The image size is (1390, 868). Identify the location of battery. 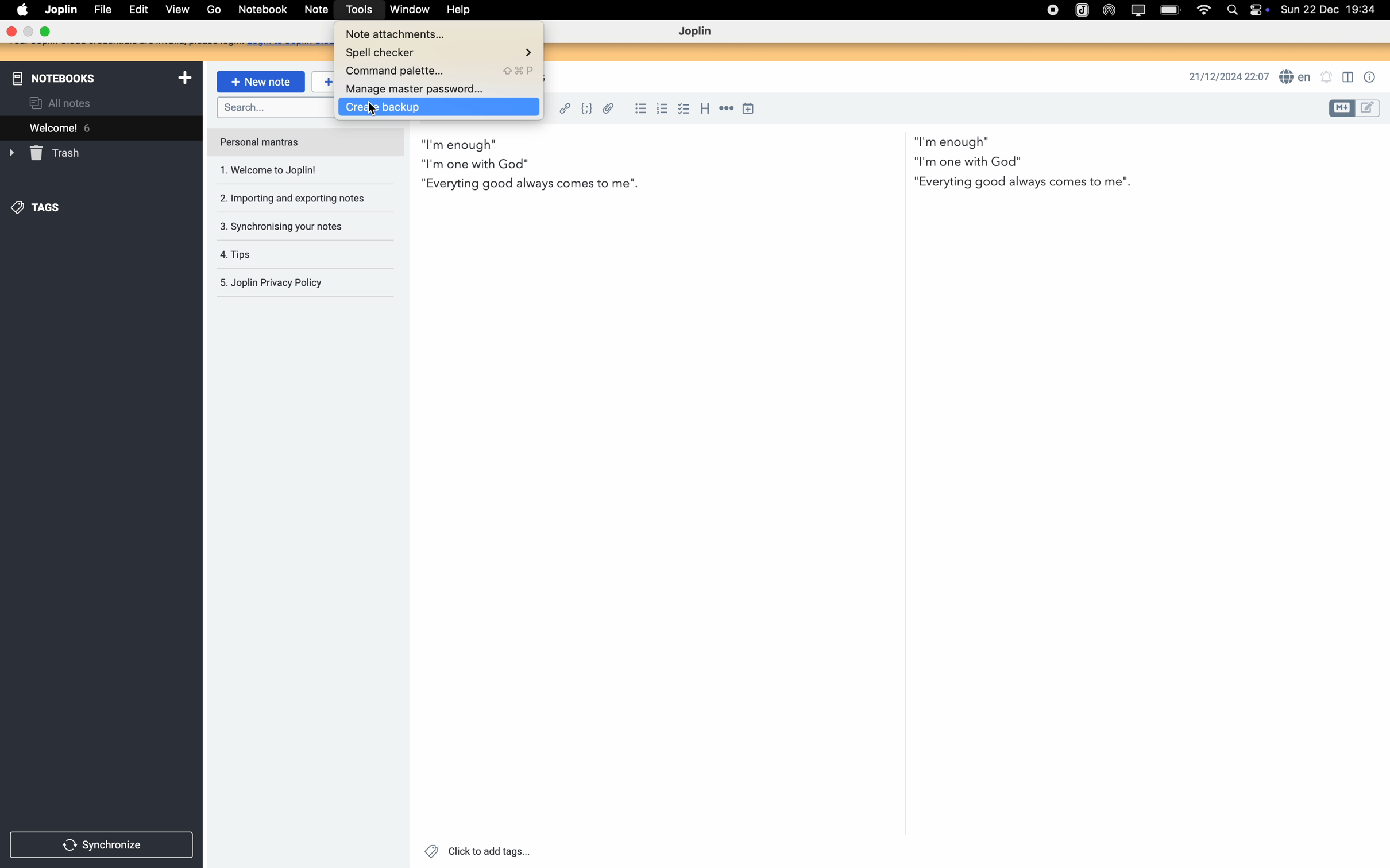
(1169, 10).